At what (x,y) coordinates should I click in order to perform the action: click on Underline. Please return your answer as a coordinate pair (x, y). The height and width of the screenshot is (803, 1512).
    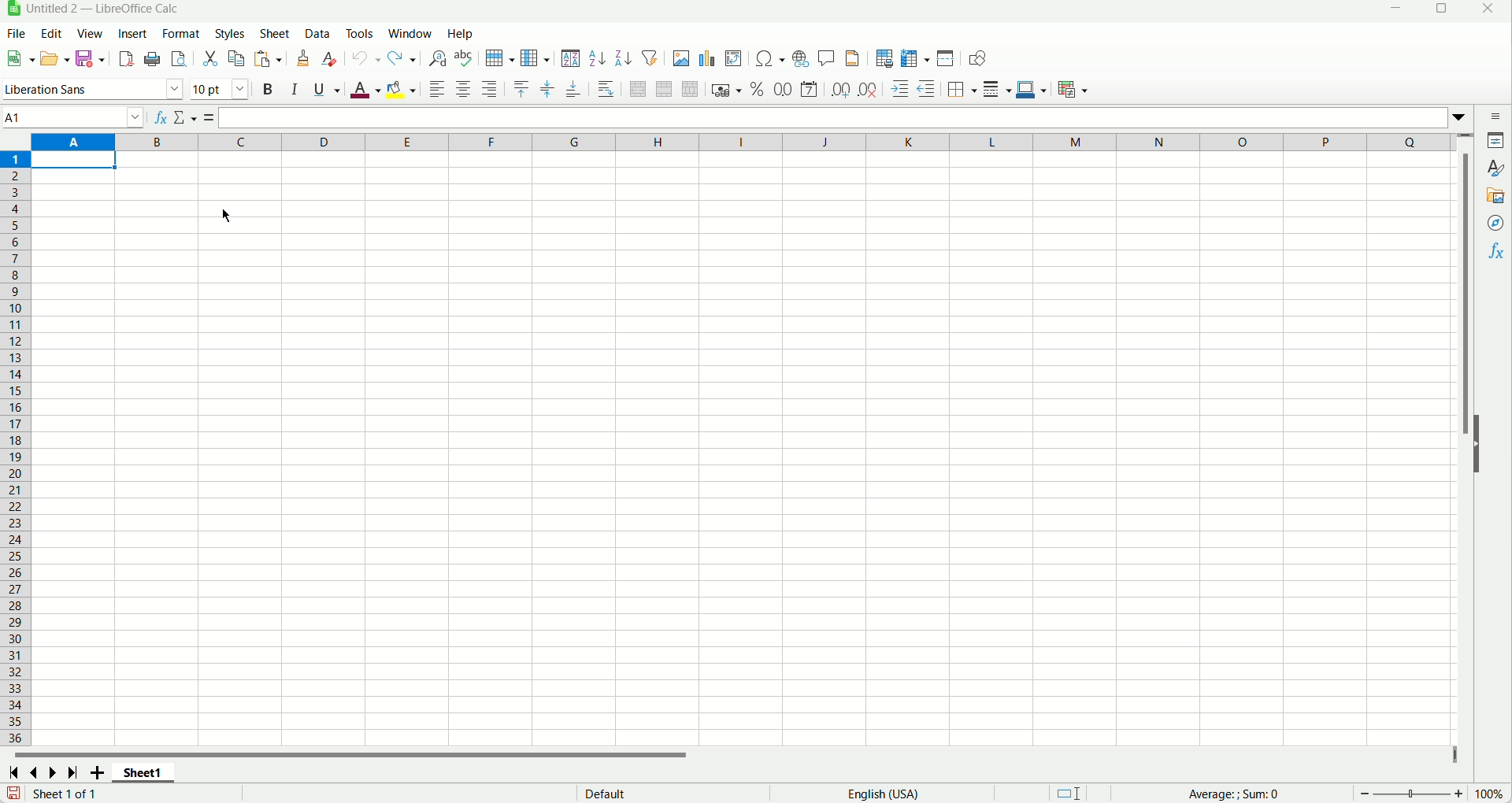
    Looking at the image, I should click on (327, 89).